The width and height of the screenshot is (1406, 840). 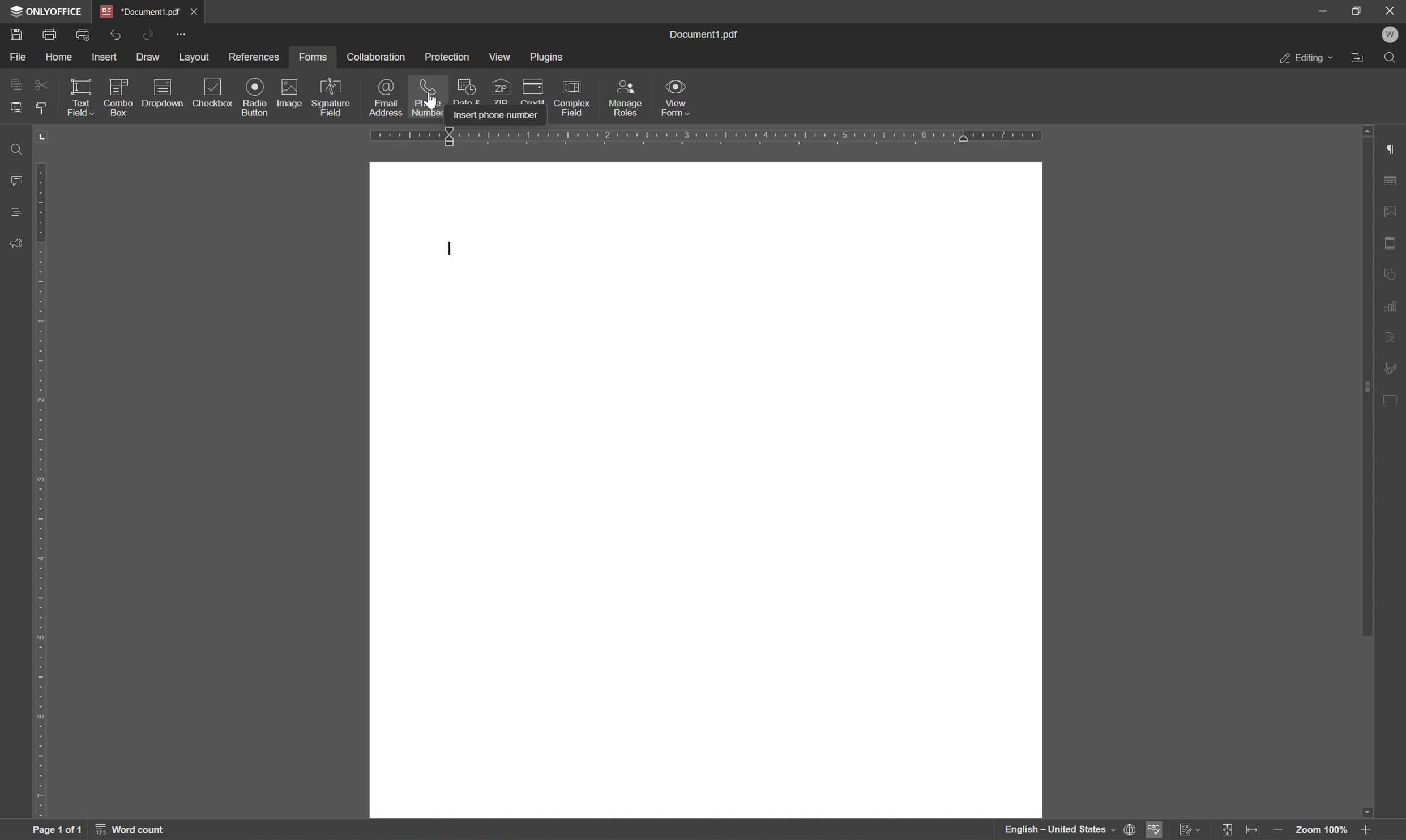 I want to click on cut, so click(x=42, y=85).